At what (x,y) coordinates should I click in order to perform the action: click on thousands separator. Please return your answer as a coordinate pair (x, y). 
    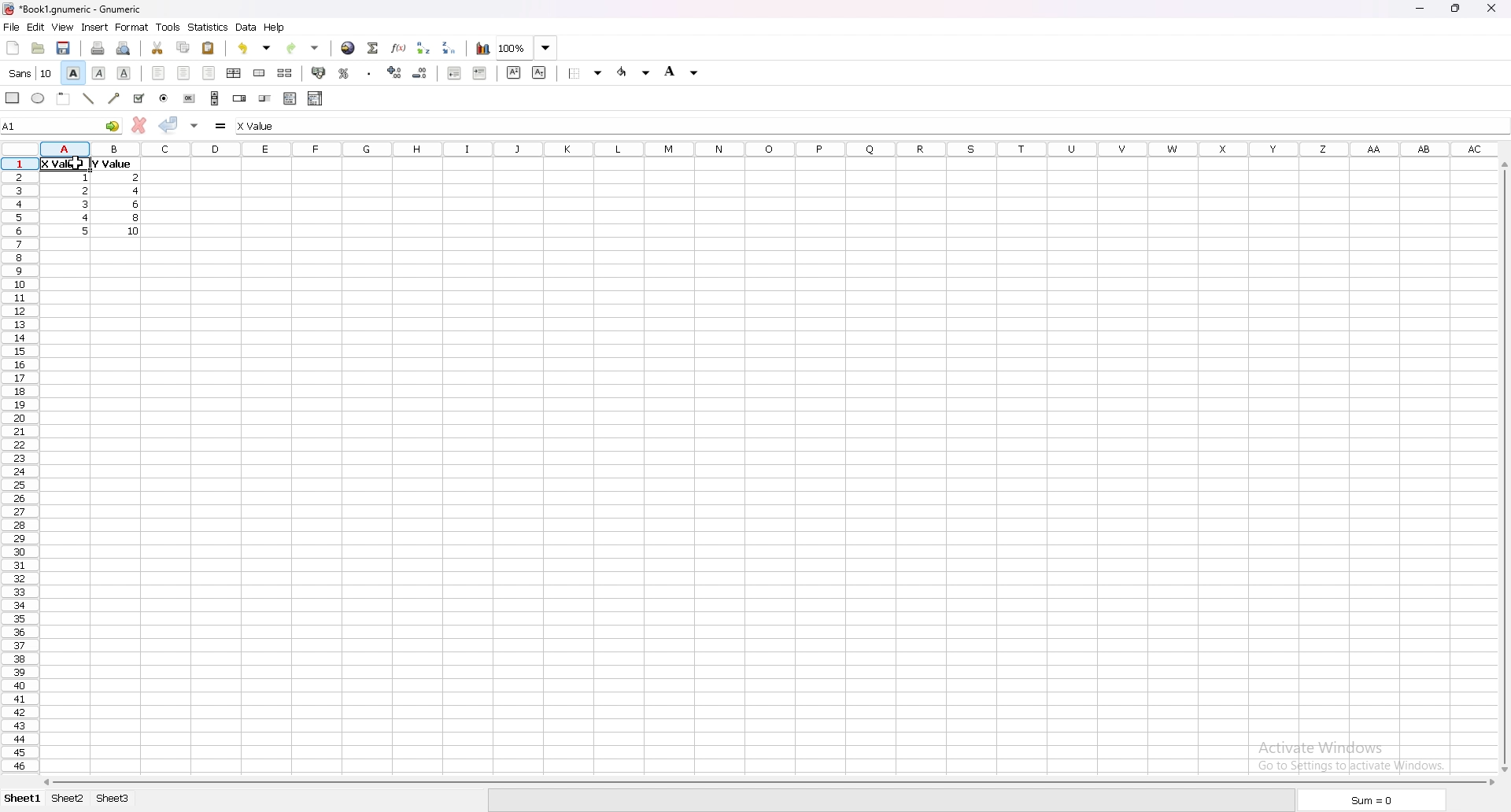
    Looking at the image, I should click on (370, 72).